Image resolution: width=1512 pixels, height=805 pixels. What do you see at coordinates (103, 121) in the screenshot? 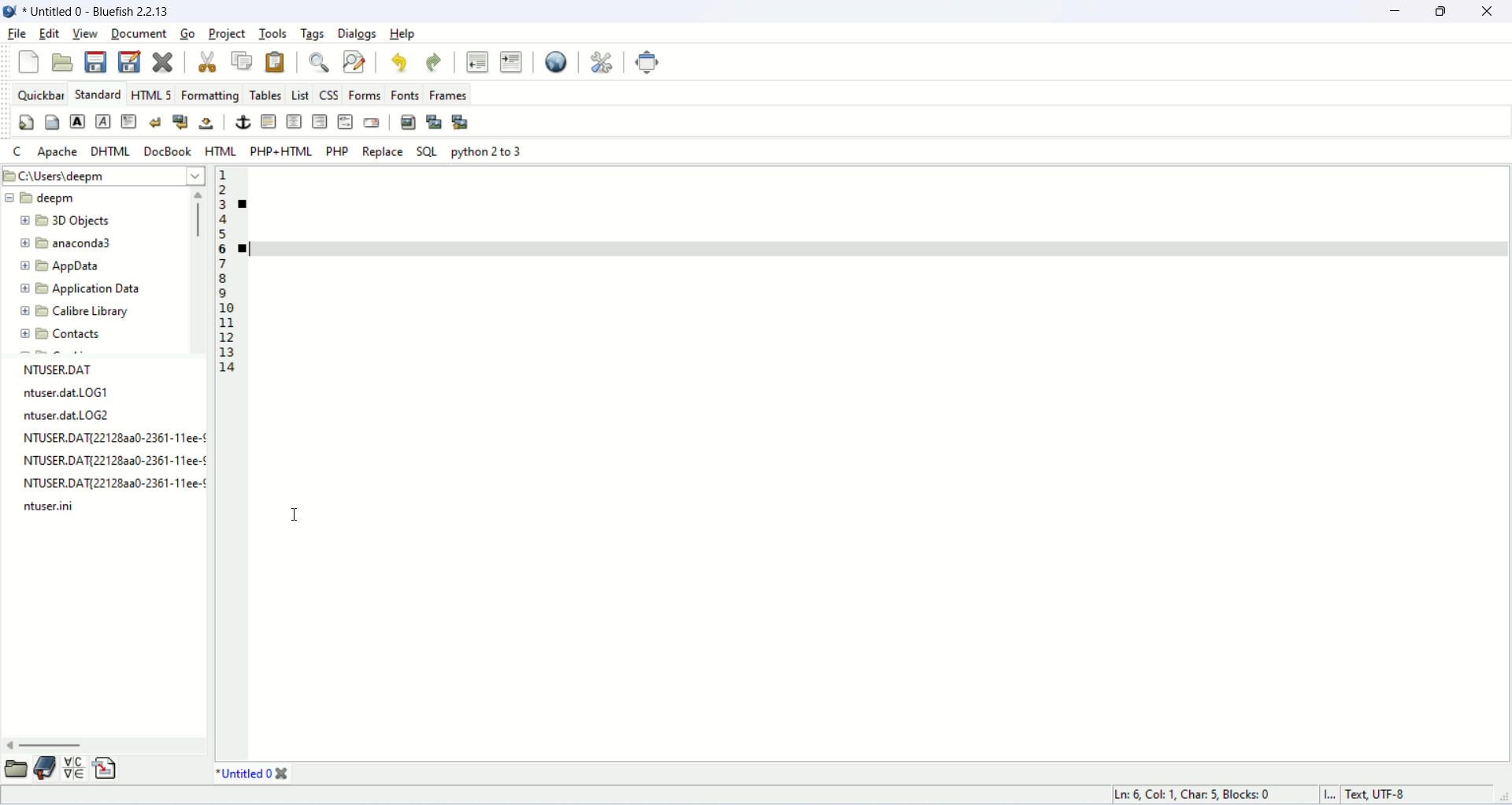
I see `imphasis` at bounding box center [103, 121].